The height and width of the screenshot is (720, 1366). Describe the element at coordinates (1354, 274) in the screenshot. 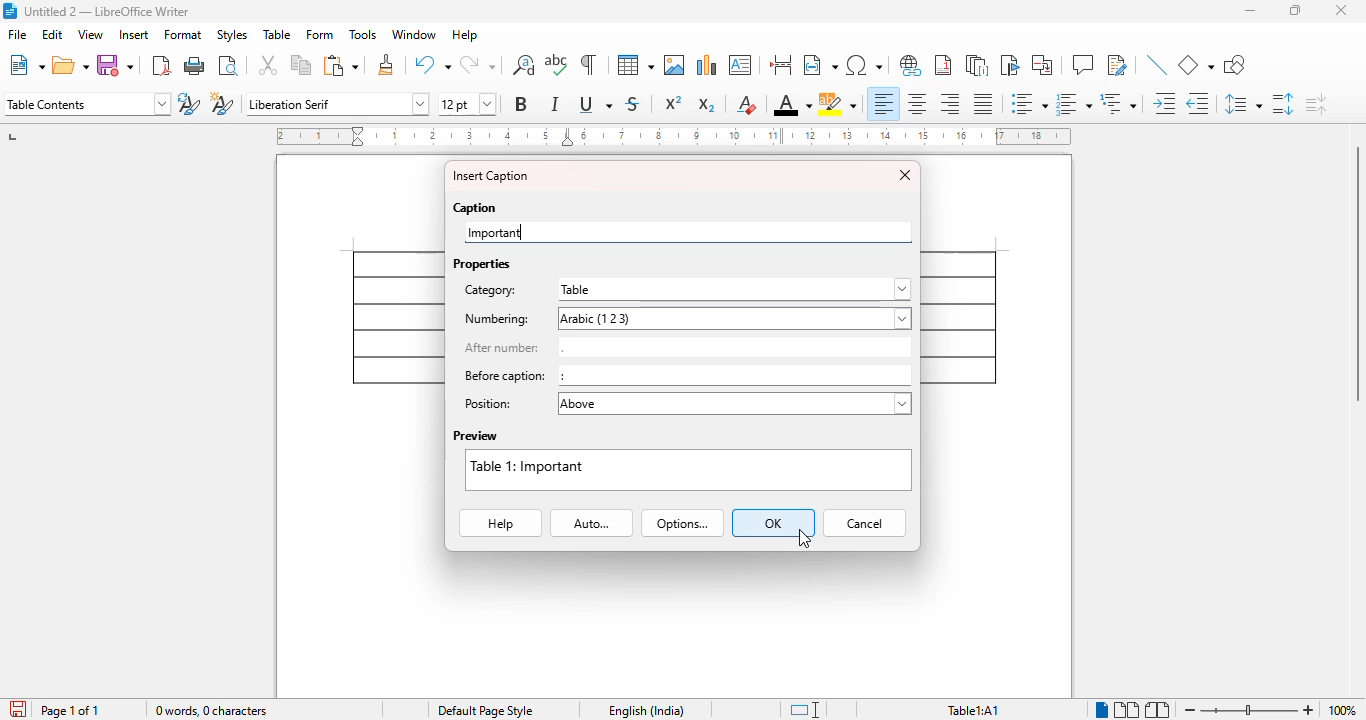

I see `vertical scroll bar` at that location.